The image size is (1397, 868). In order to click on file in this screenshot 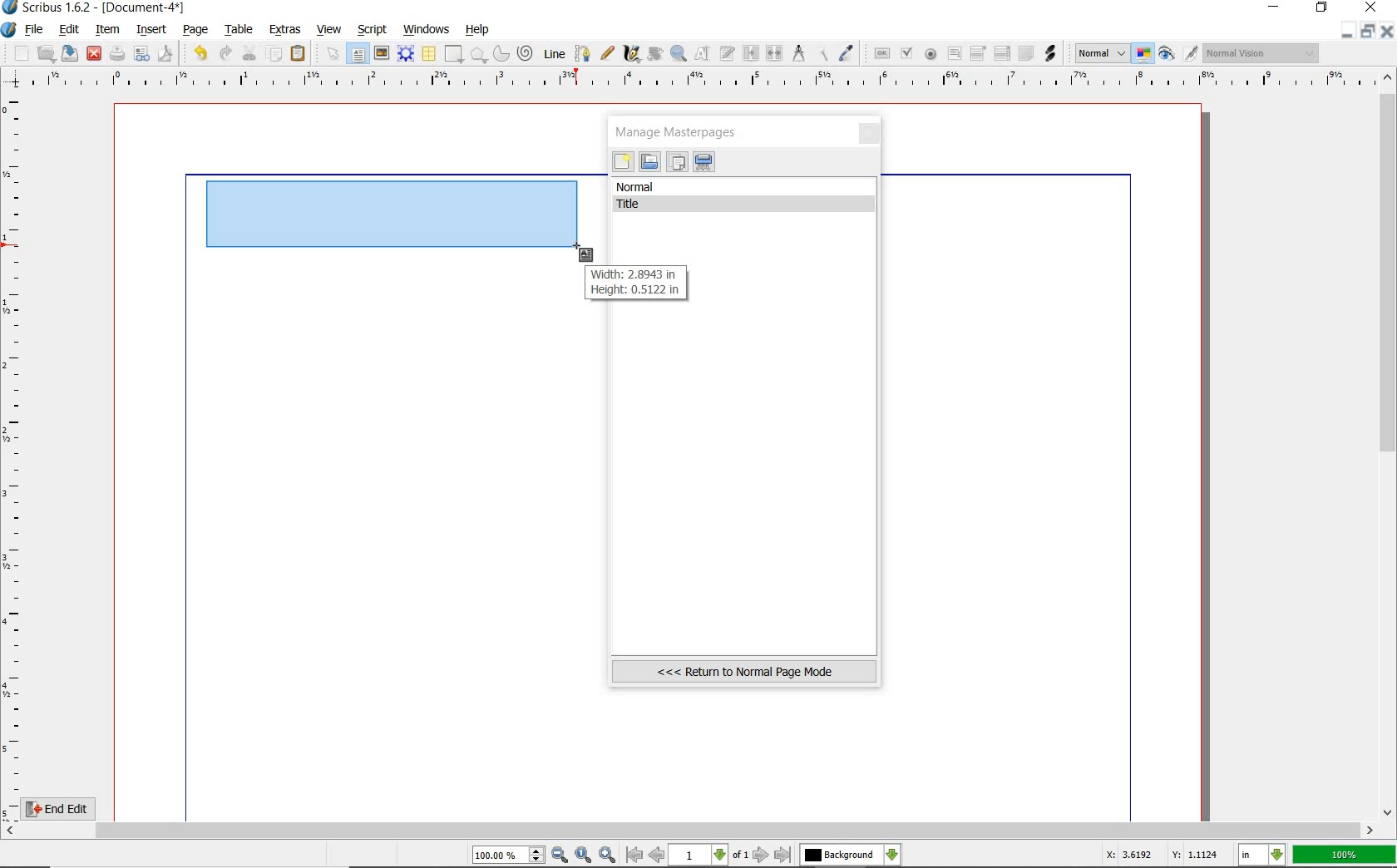, I will do `click(35, 30)`.